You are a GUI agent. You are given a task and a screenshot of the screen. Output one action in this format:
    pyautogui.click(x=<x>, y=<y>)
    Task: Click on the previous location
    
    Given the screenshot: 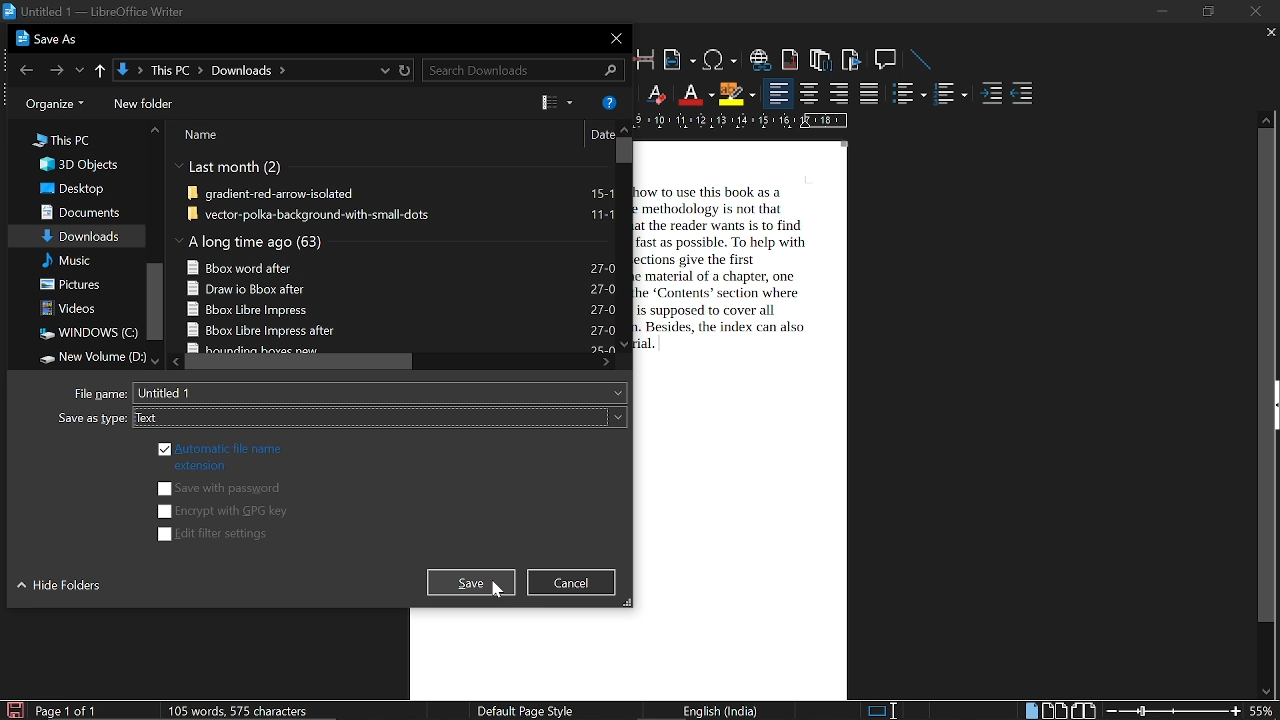 What is the action you would take?
    pyautogui.click(x=80, y=68)
    